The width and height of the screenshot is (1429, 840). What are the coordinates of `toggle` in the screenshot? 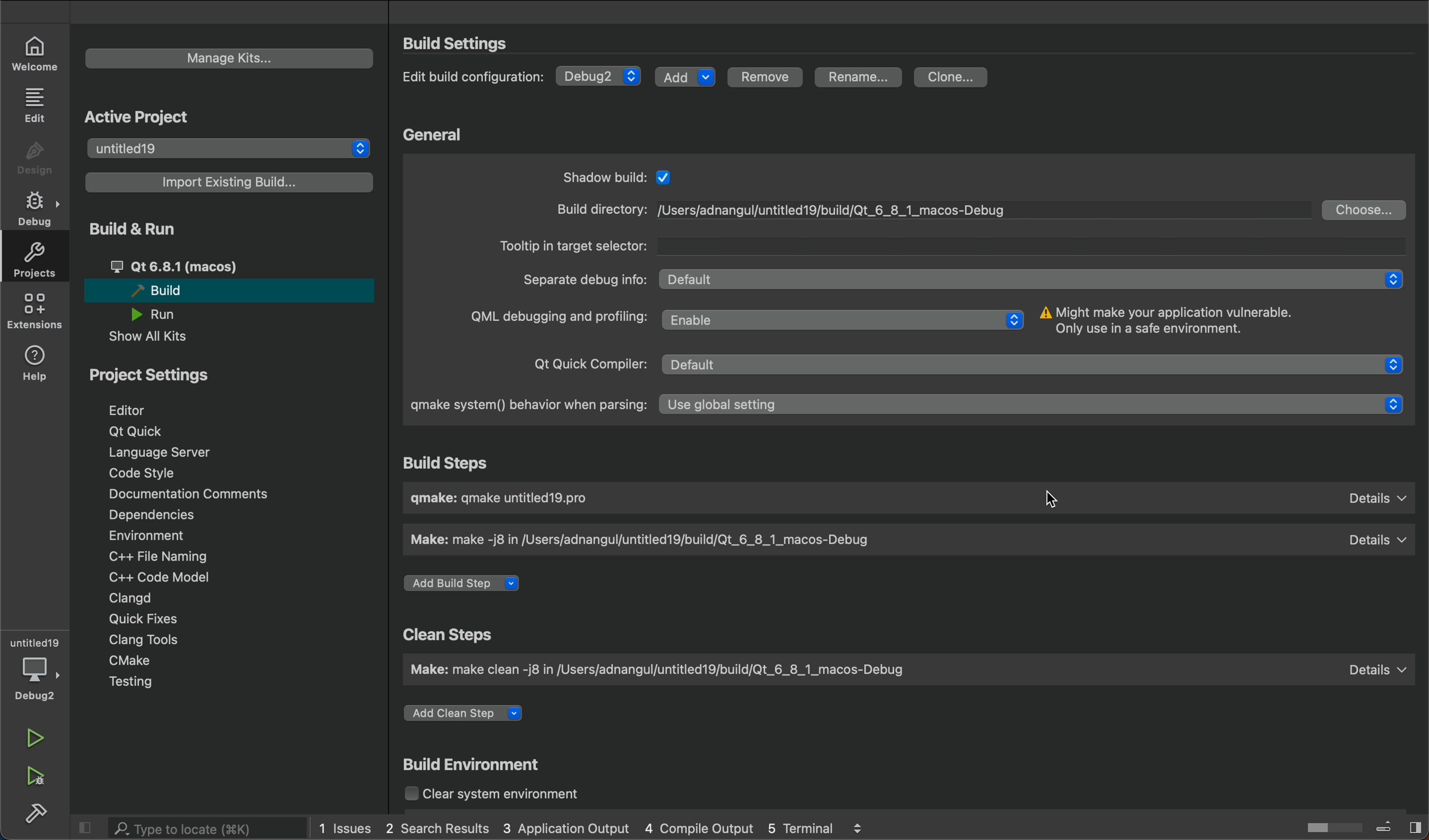 It's located at (1325, 825).